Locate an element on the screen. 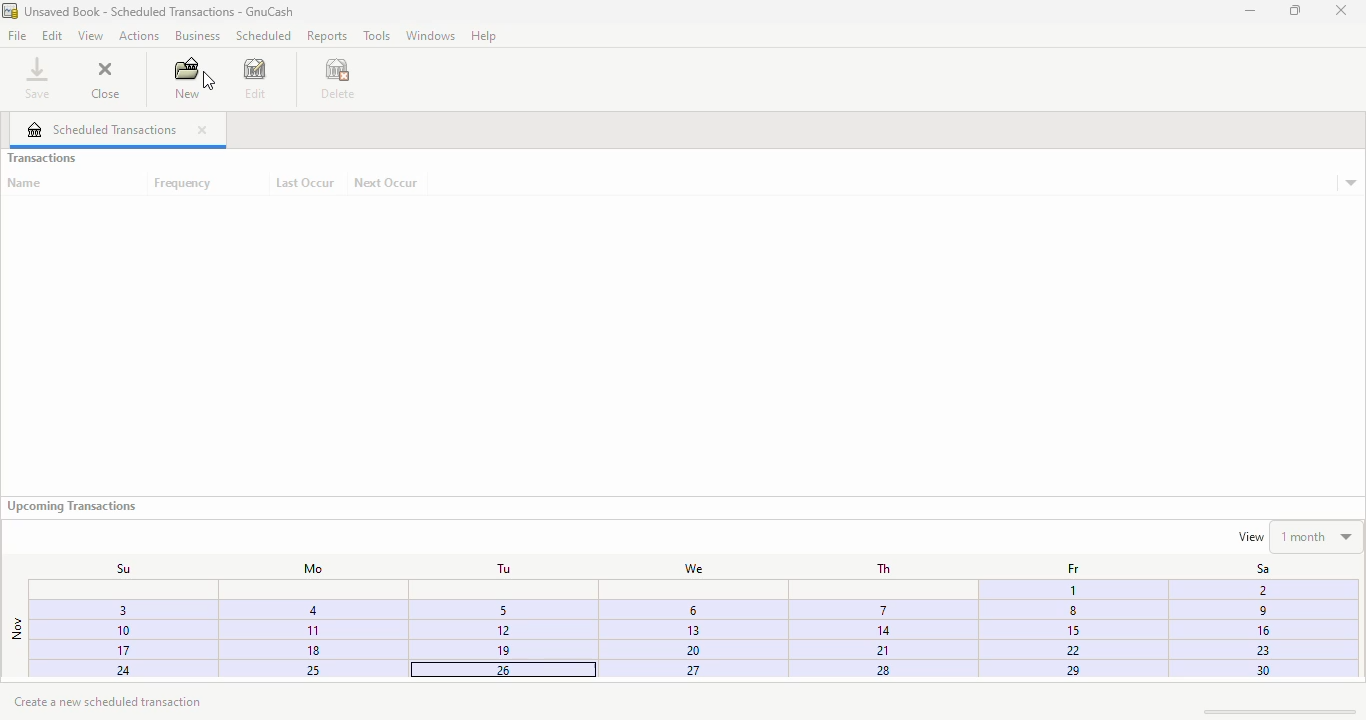 The width and height of the screenshot is (1366, 720). 21 is located at coordinates (884, 651).